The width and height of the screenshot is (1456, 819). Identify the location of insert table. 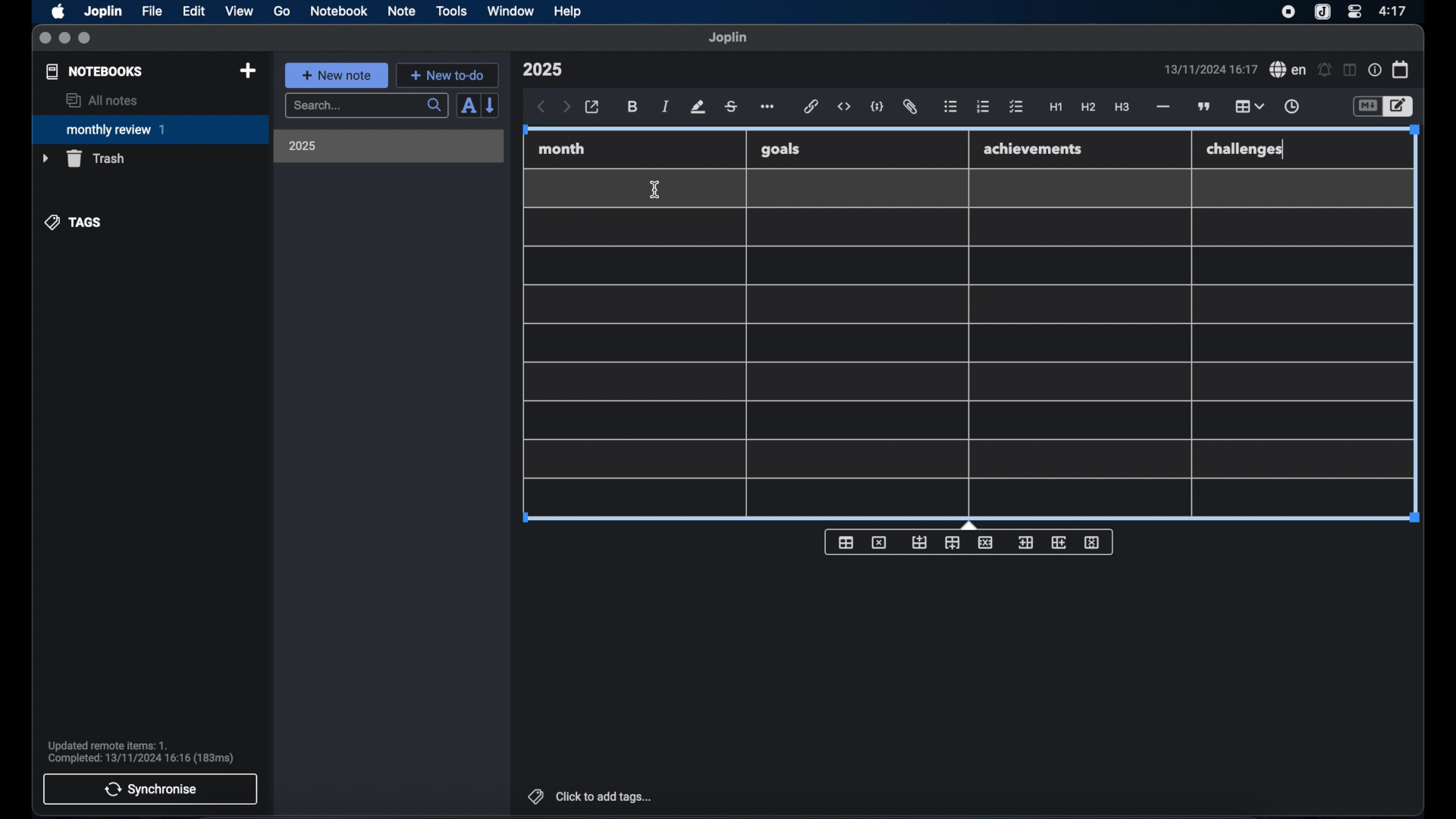
(846, 542).